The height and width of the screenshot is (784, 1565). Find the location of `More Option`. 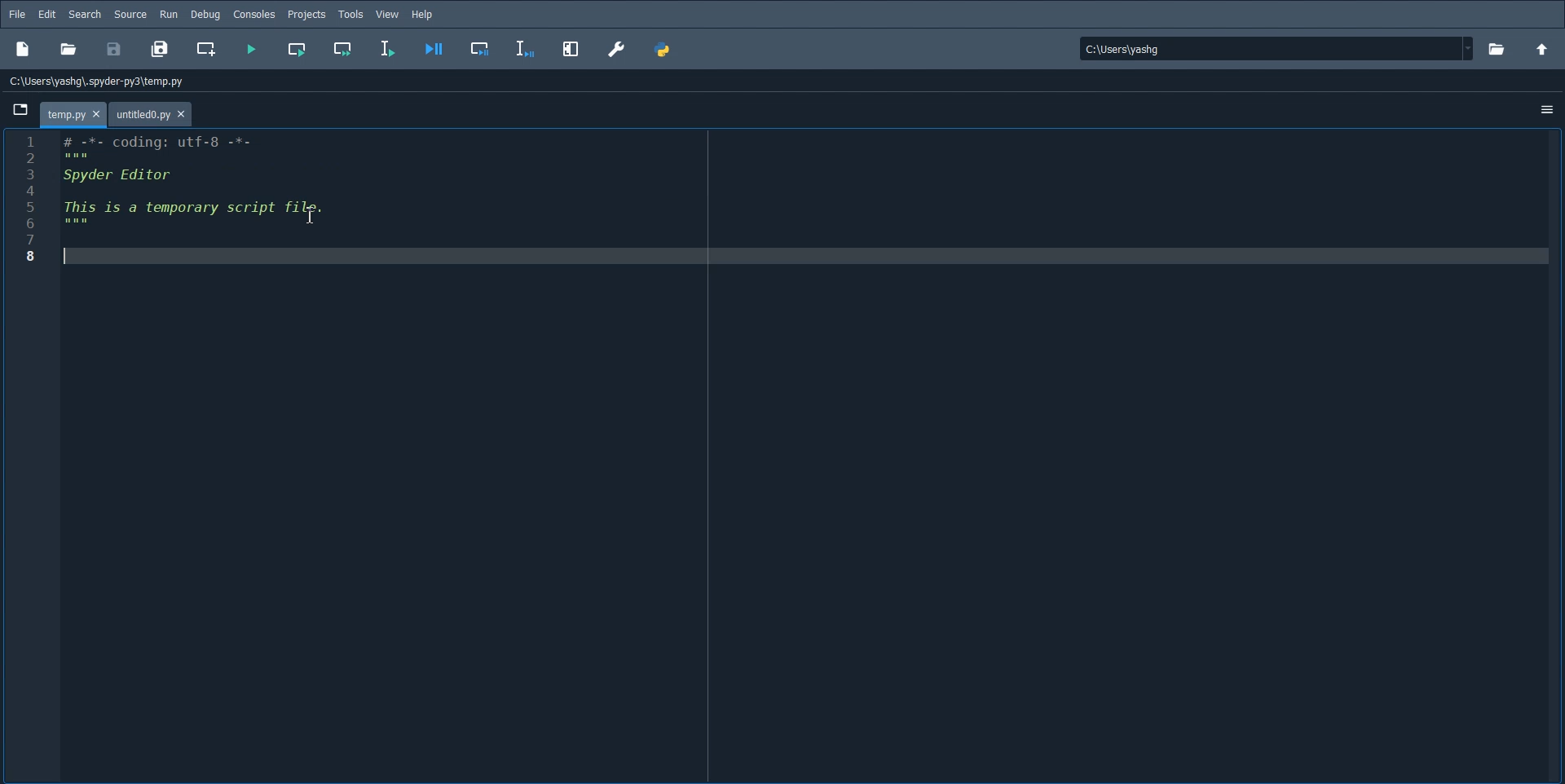

More Option is located at coordinates (1546, 112).